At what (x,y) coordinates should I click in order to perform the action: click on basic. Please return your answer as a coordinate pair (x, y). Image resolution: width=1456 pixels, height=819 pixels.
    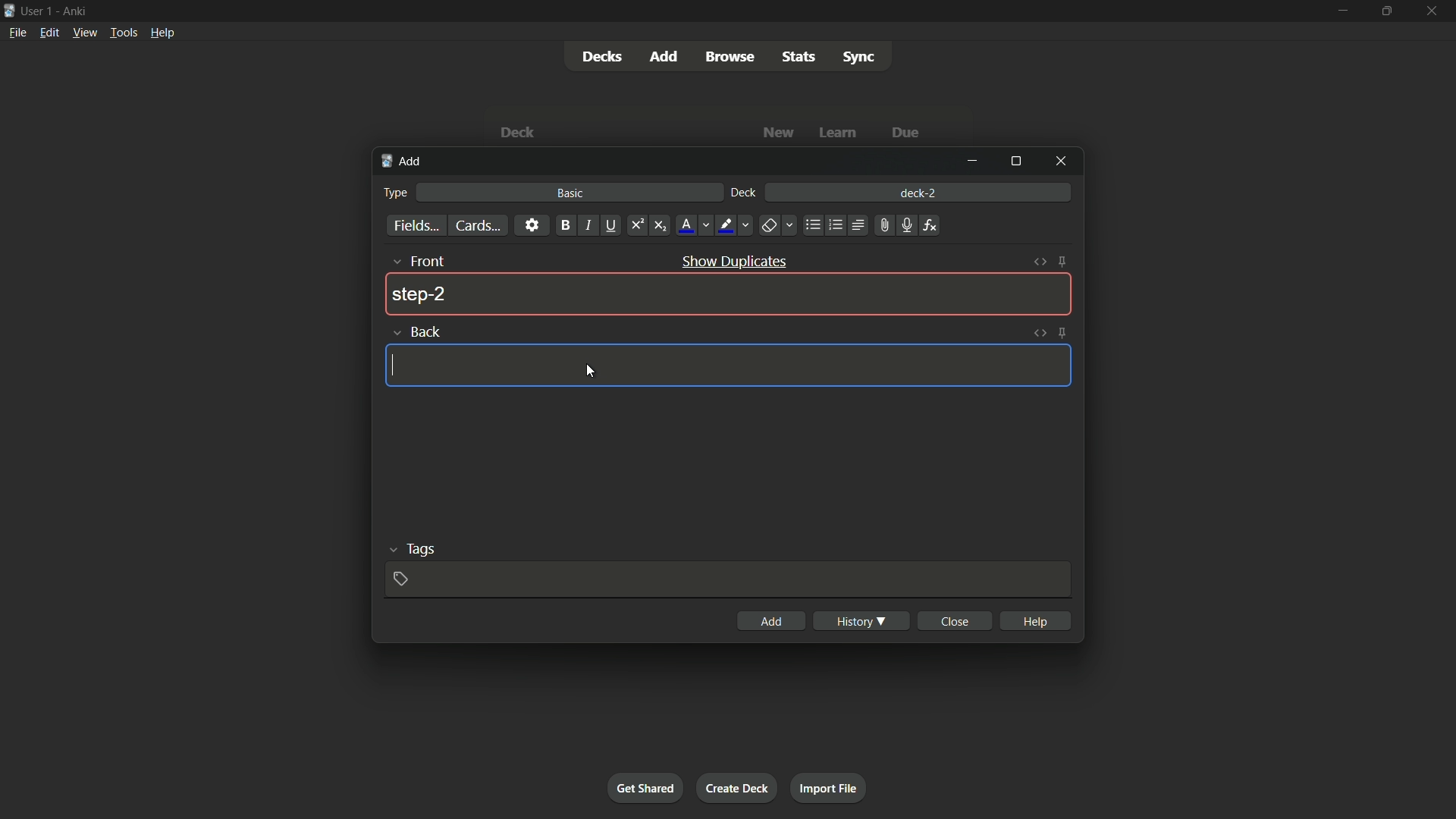
    Looking at the image, I should click on (570, 193).